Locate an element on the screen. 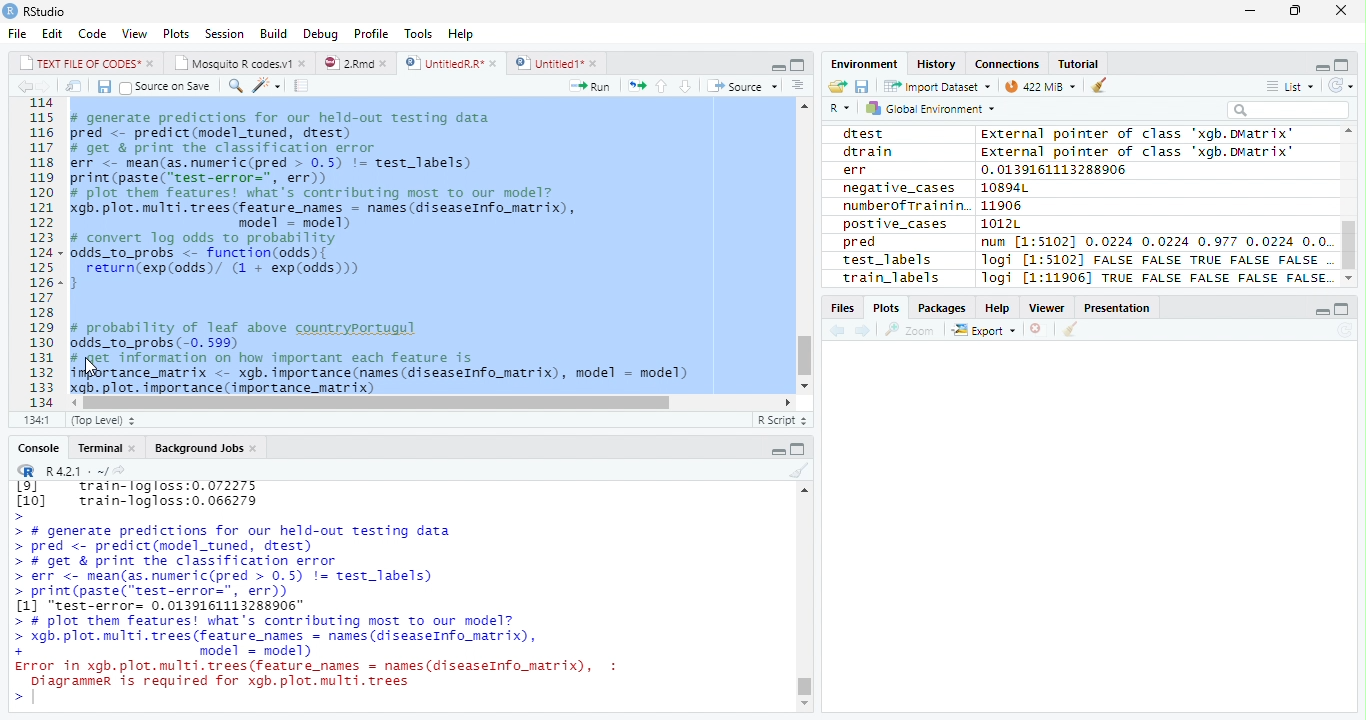 The height and width of the screenshot is (720, 1366). Refresh is located at coordinates (1340, 84).